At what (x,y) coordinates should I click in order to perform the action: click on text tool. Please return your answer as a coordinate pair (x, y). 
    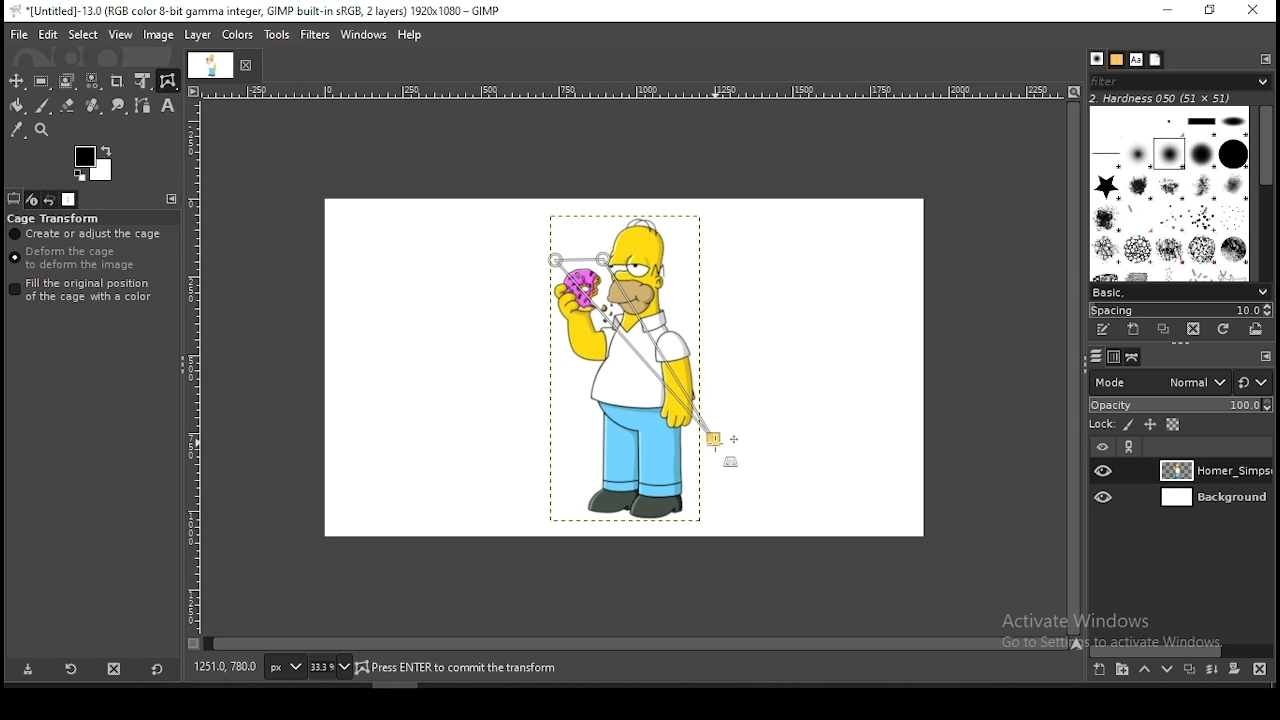
    Looking at the image, I should click on (167, 106).